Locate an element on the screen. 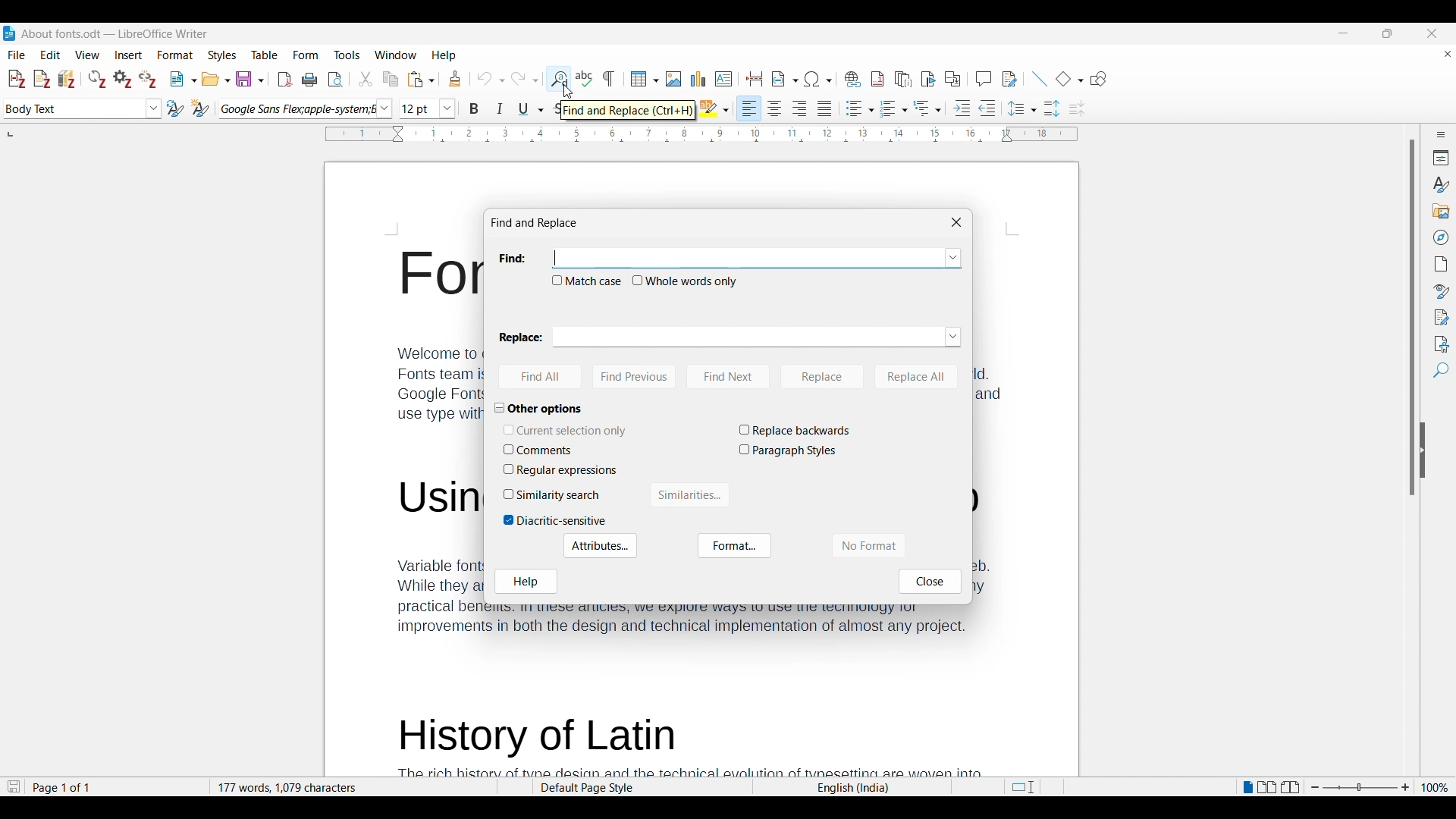 The width and height of the screenshot is (1456, 819). Description of current selection is located at coordinates (629, 111).